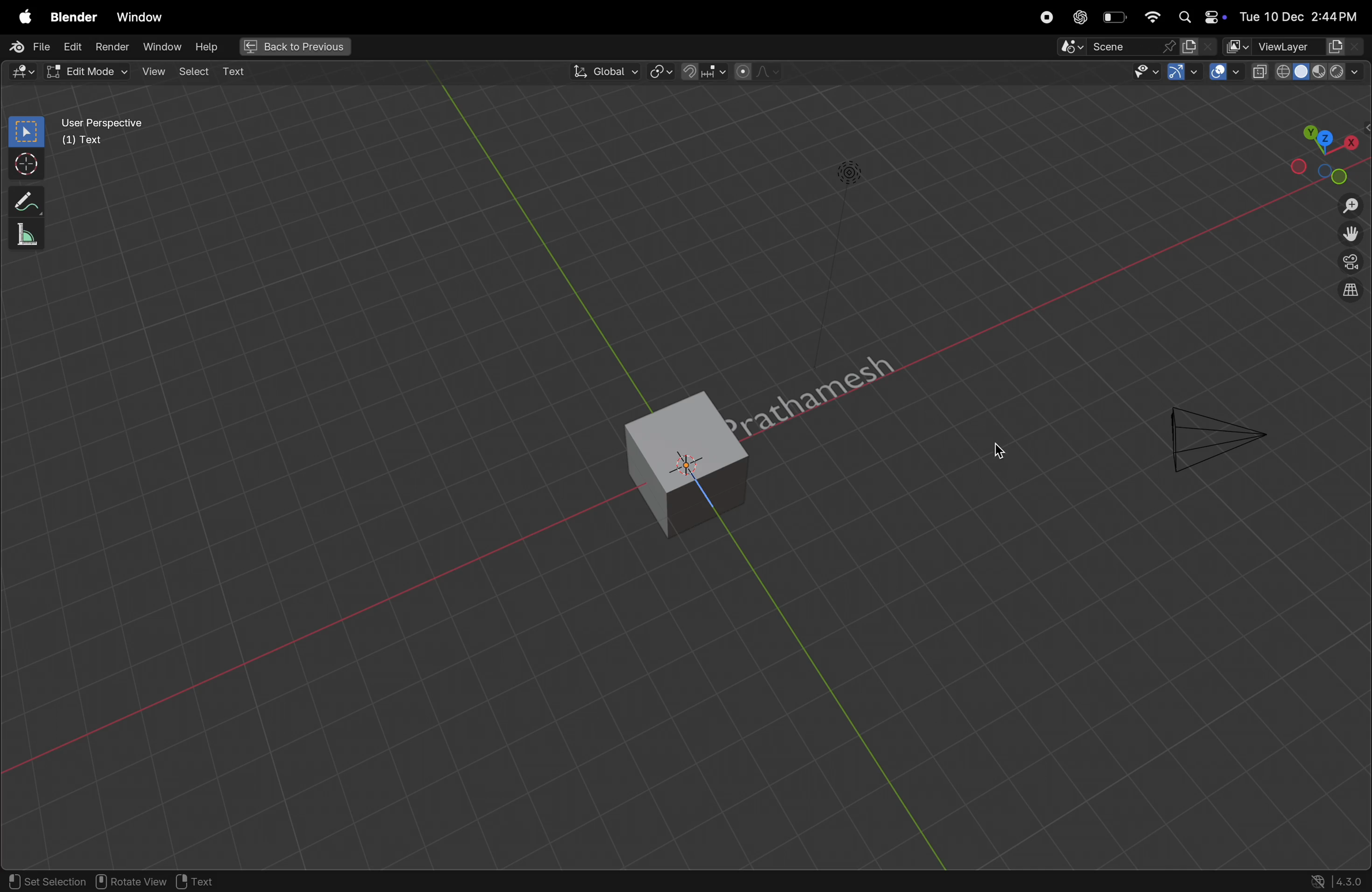  What do you see at coordinates (1198, 16) in the screenshot?
I see `apple widgets` at bounding box center [1198, 16].